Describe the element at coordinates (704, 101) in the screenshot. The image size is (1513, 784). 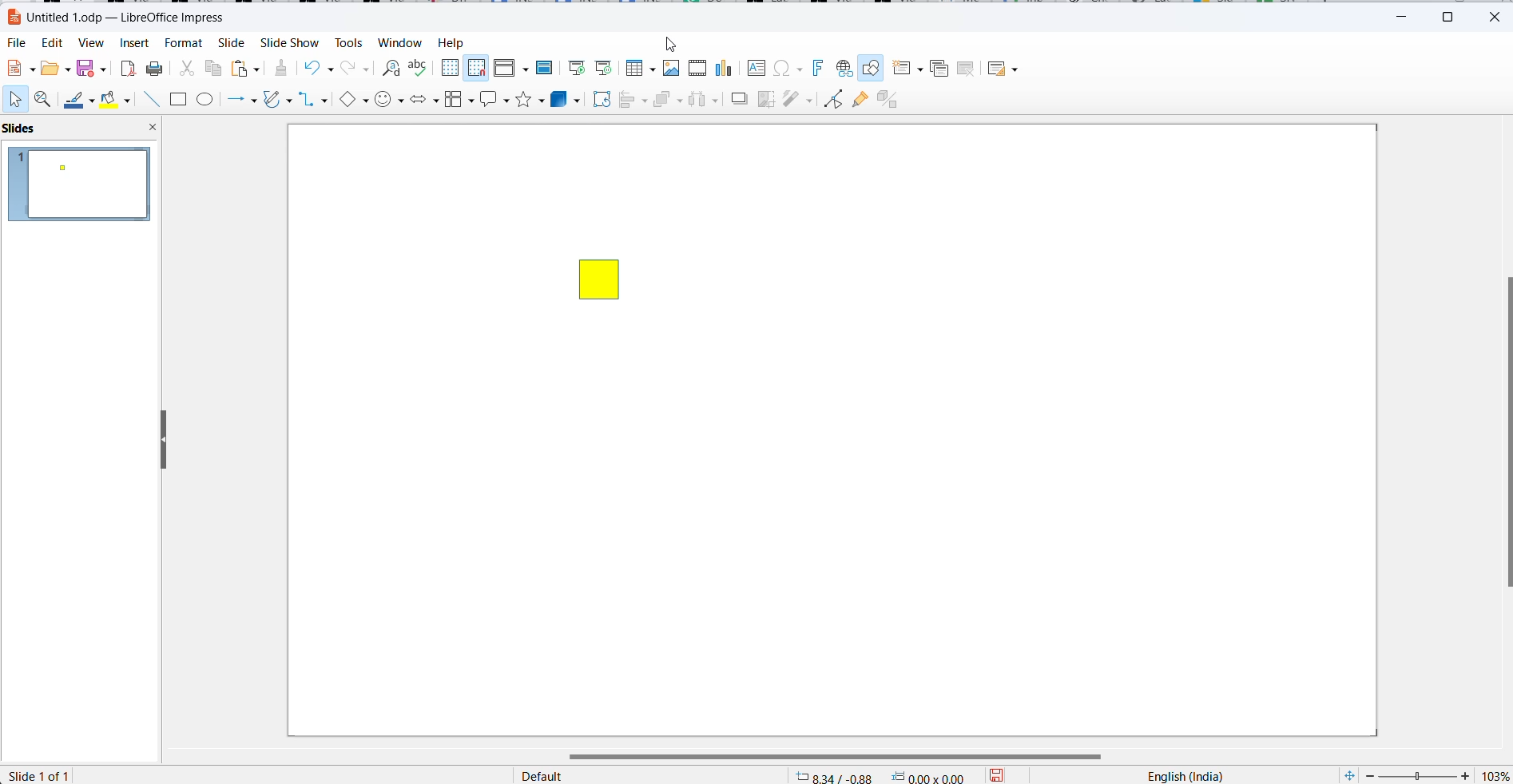
I see `distribute objects` at that location.